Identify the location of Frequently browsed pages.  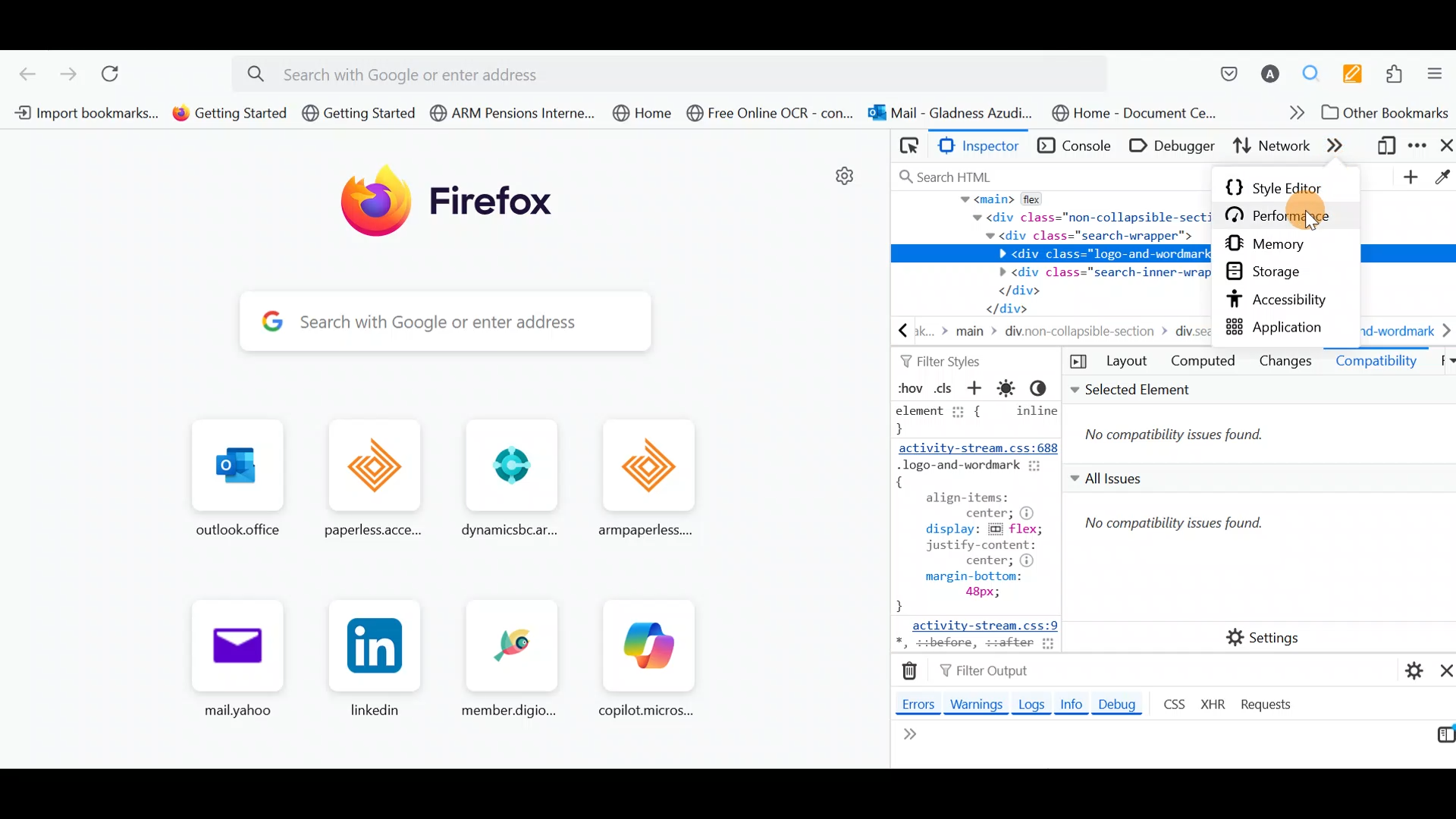
(441, 566).